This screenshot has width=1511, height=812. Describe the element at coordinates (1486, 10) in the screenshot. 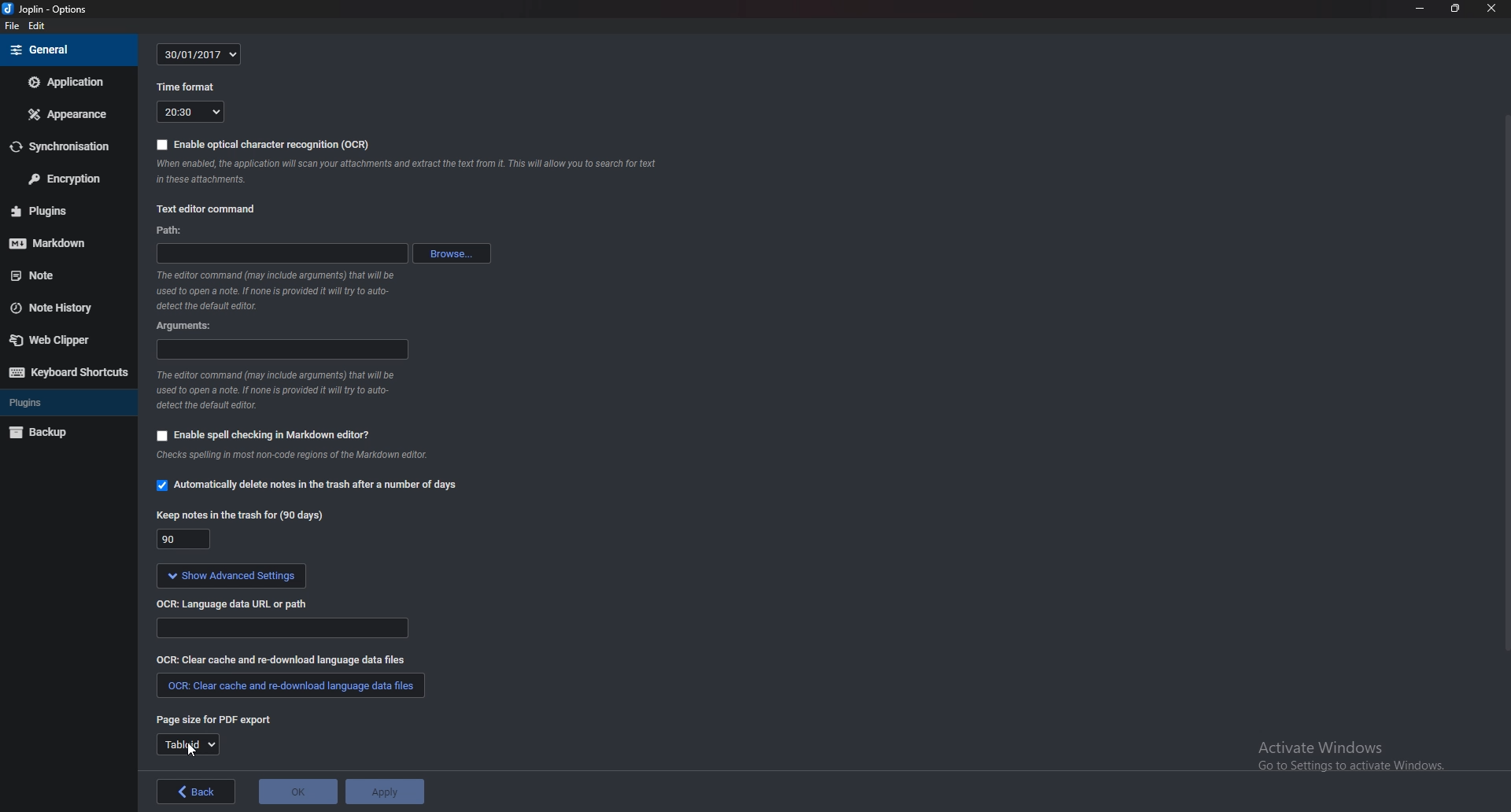

I see `close` at that location.